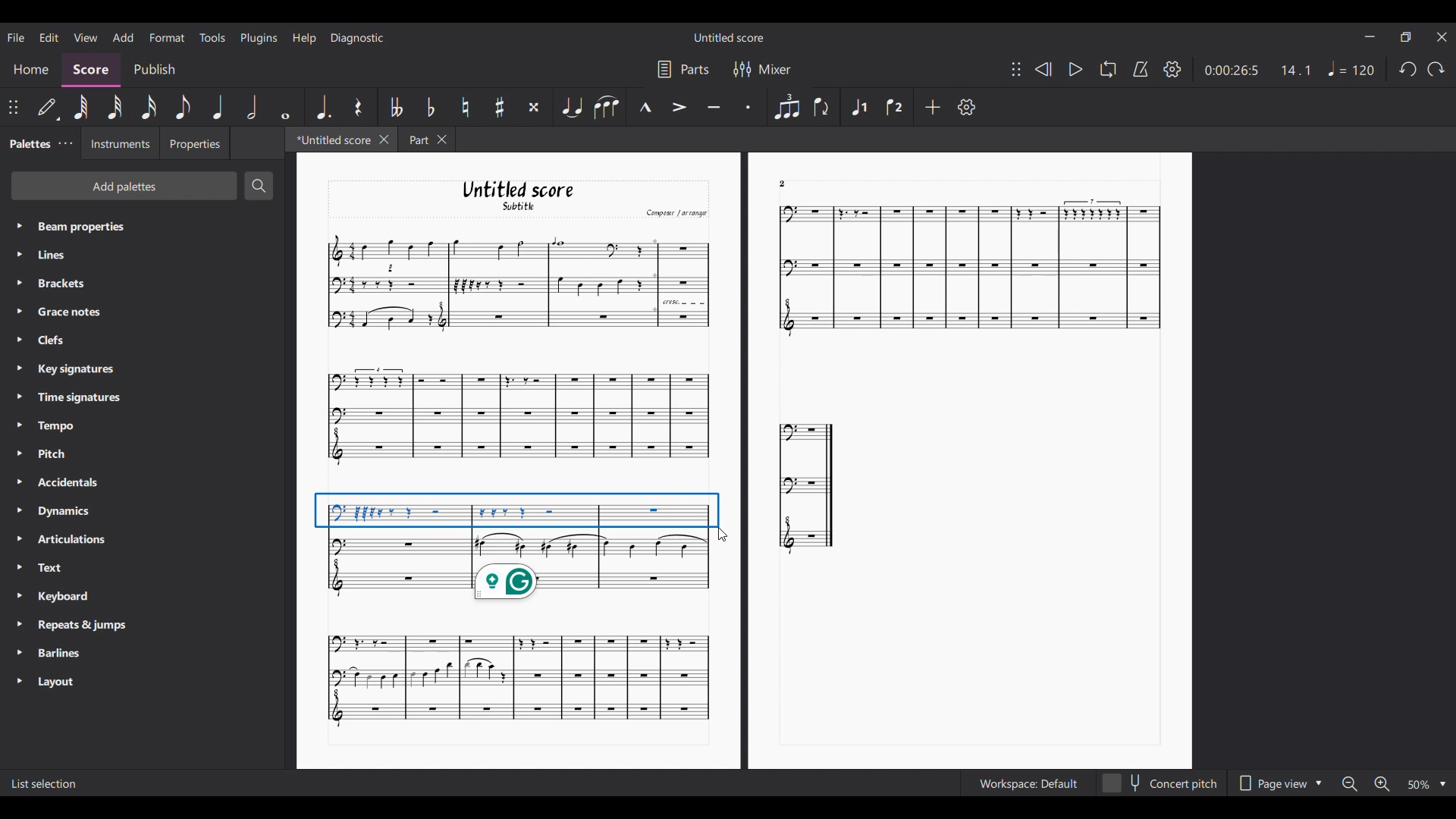  Describe the element at coordinates (684, 69) in the screenshot. I see `Parts settings` at that location.